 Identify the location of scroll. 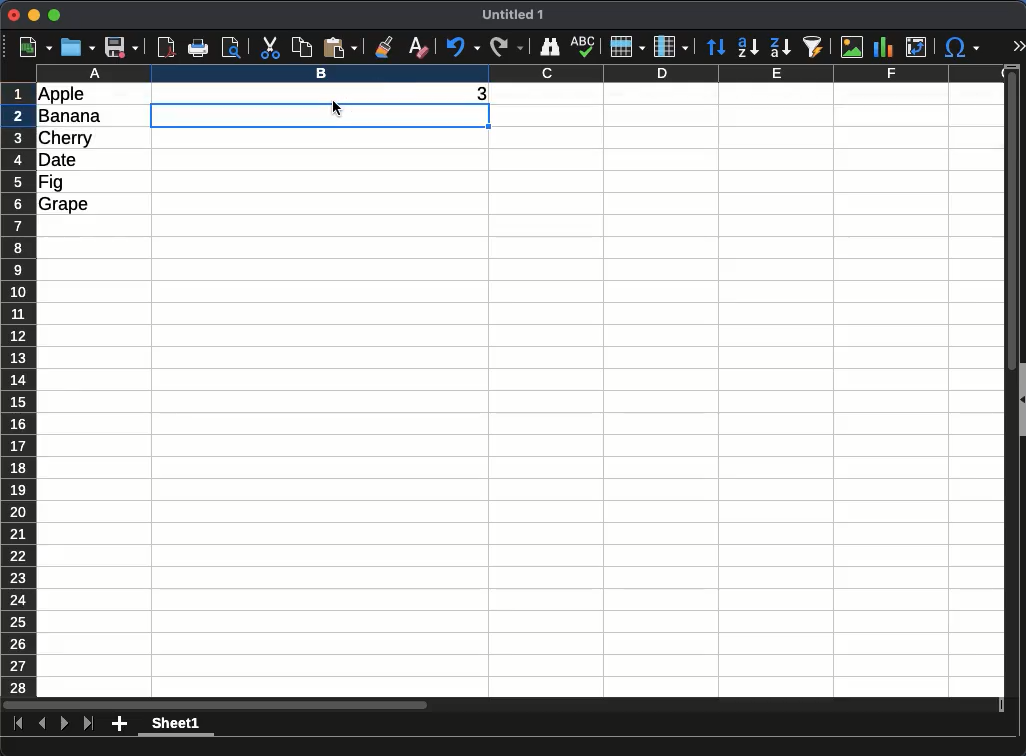
(503, 705).